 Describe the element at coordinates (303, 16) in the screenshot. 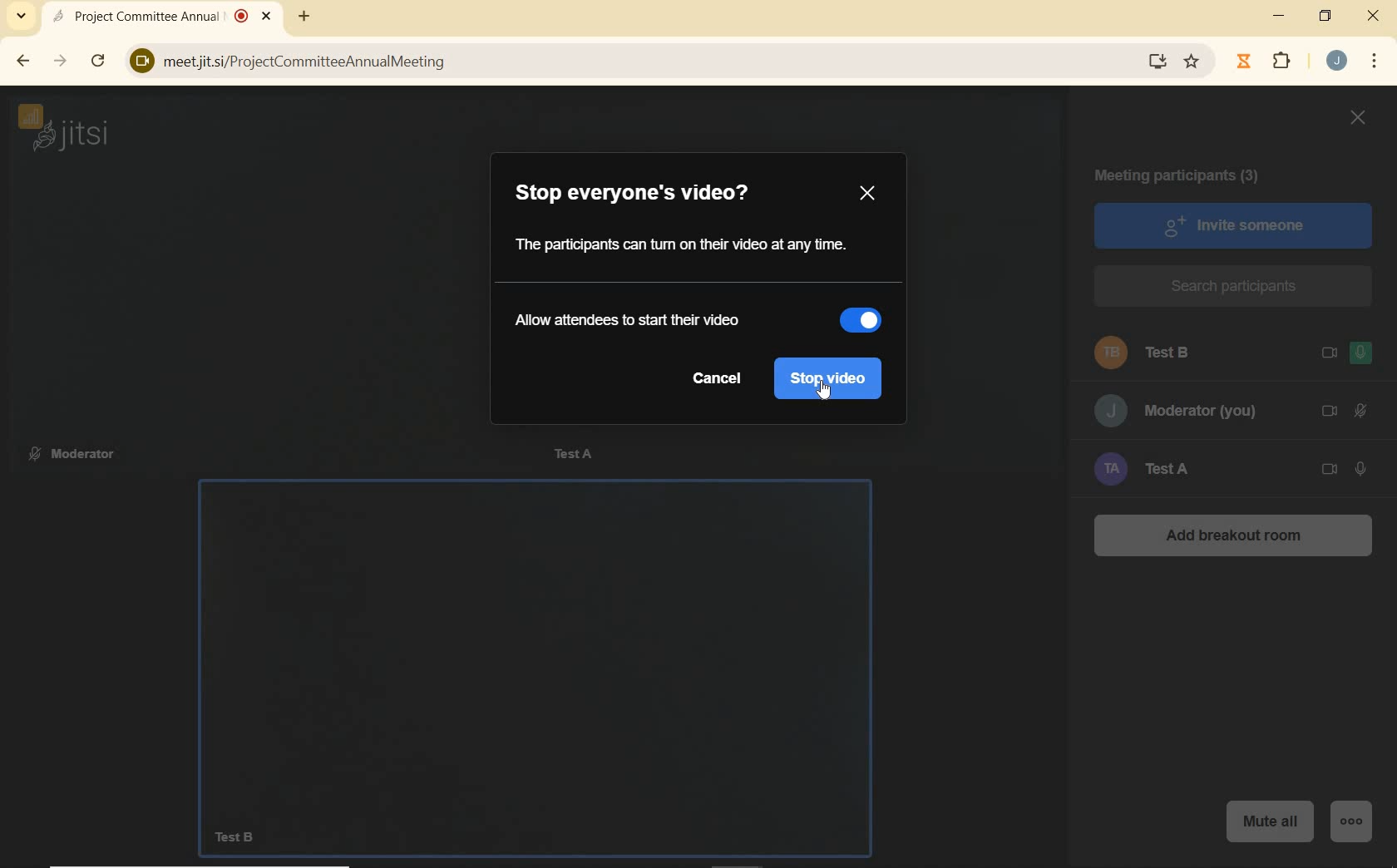

I see `ADD NEW TAB` at that location.